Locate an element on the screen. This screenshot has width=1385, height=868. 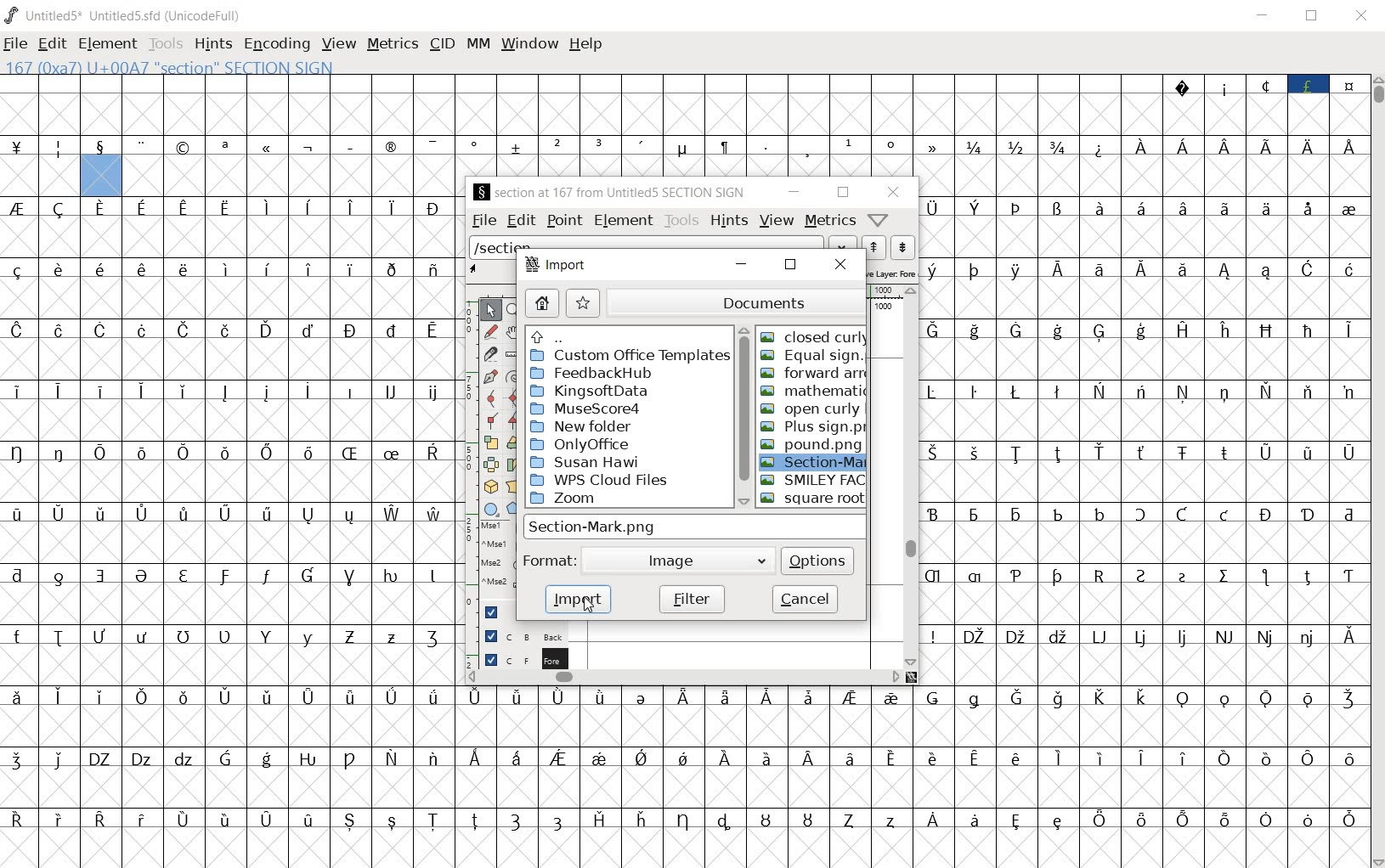
empty cells is located at coordinates (1145, 421).